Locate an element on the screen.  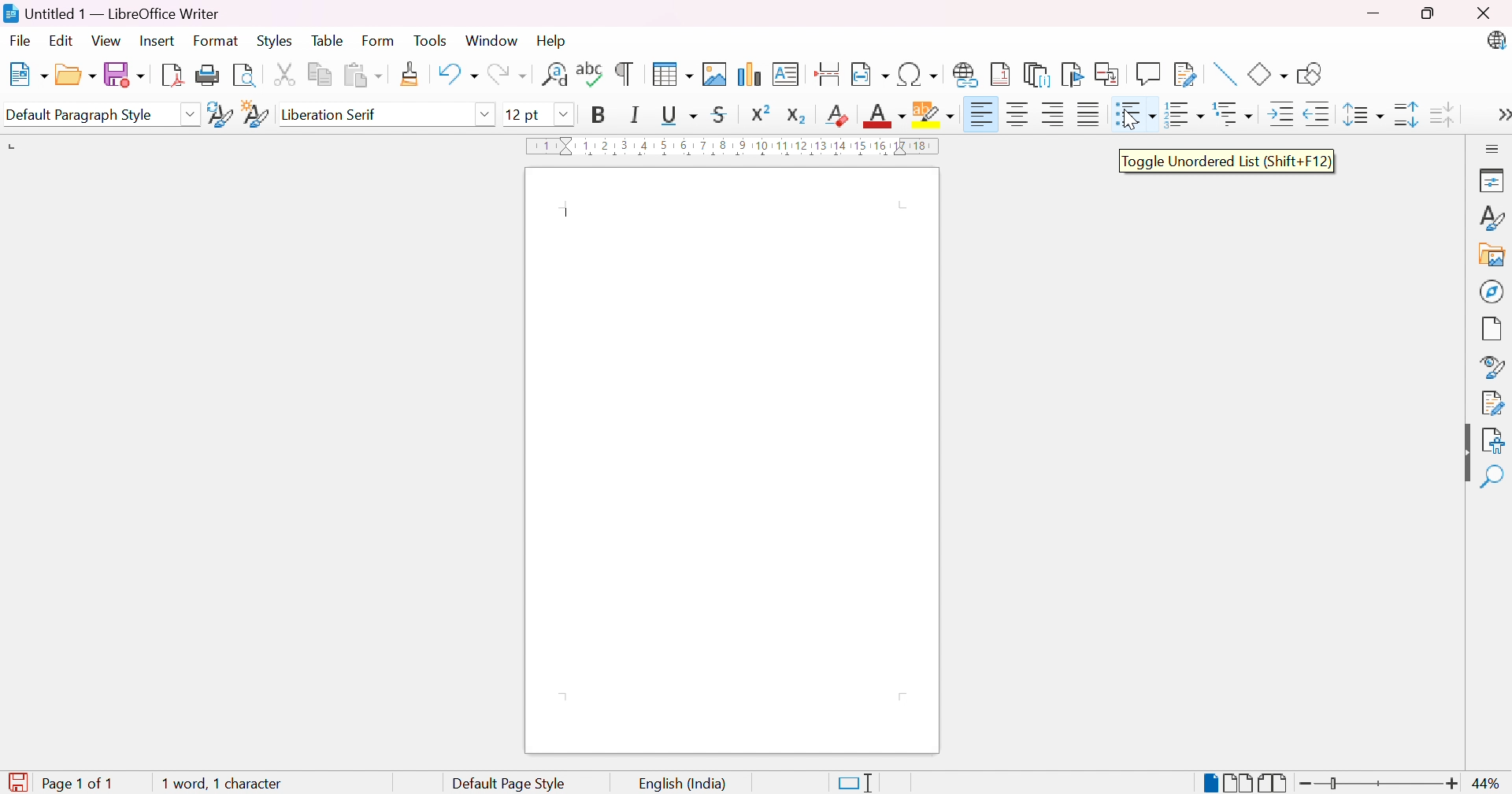
Insert table is located at coordinates (672, 74).